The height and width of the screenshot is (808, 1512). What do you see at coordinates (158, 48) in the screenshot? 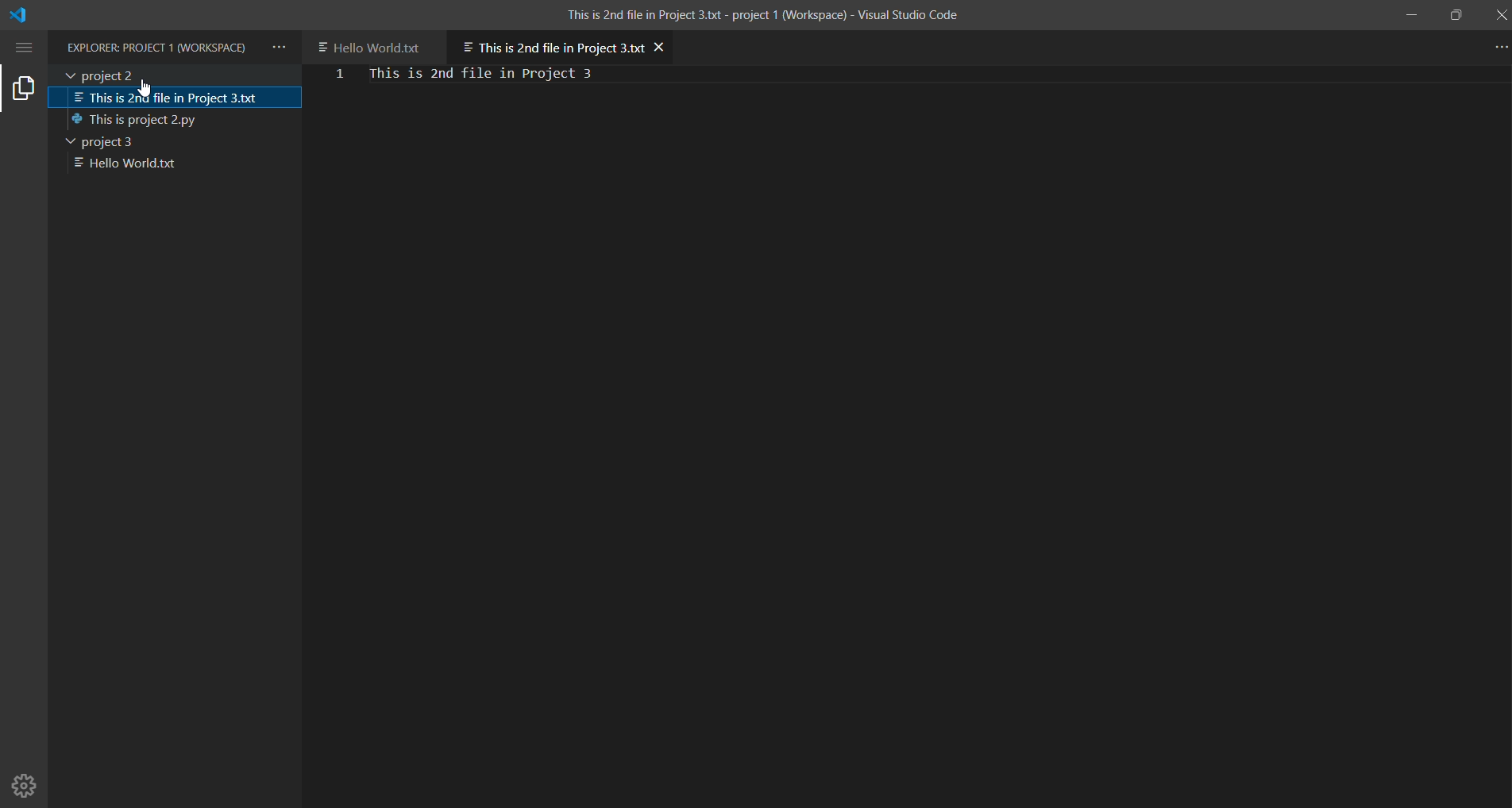
I see `Explorer` at bounding box center [158, 48].